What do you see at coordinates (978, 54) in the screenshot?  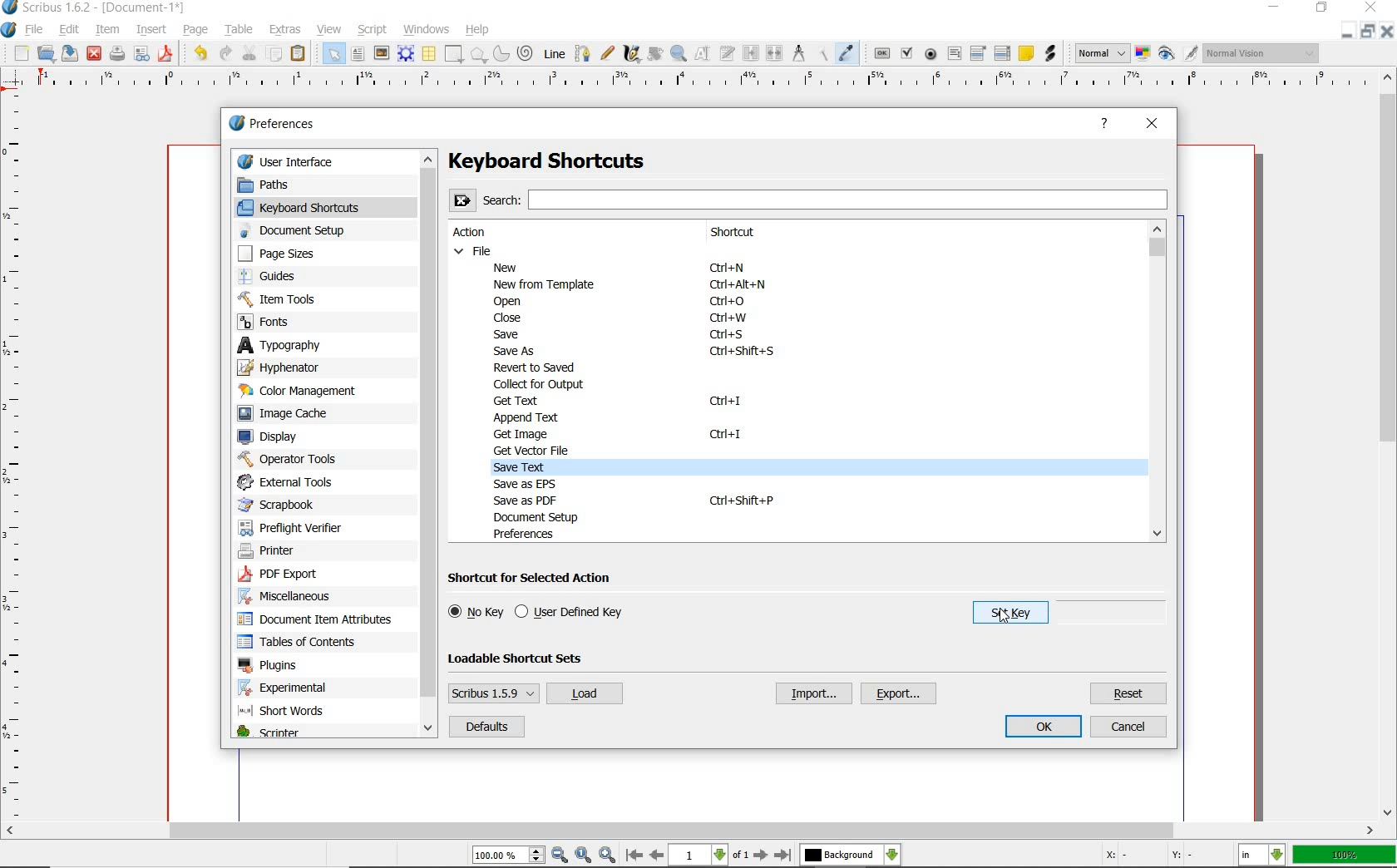 I see `pdf combo box` at bounding box center [978, 54].